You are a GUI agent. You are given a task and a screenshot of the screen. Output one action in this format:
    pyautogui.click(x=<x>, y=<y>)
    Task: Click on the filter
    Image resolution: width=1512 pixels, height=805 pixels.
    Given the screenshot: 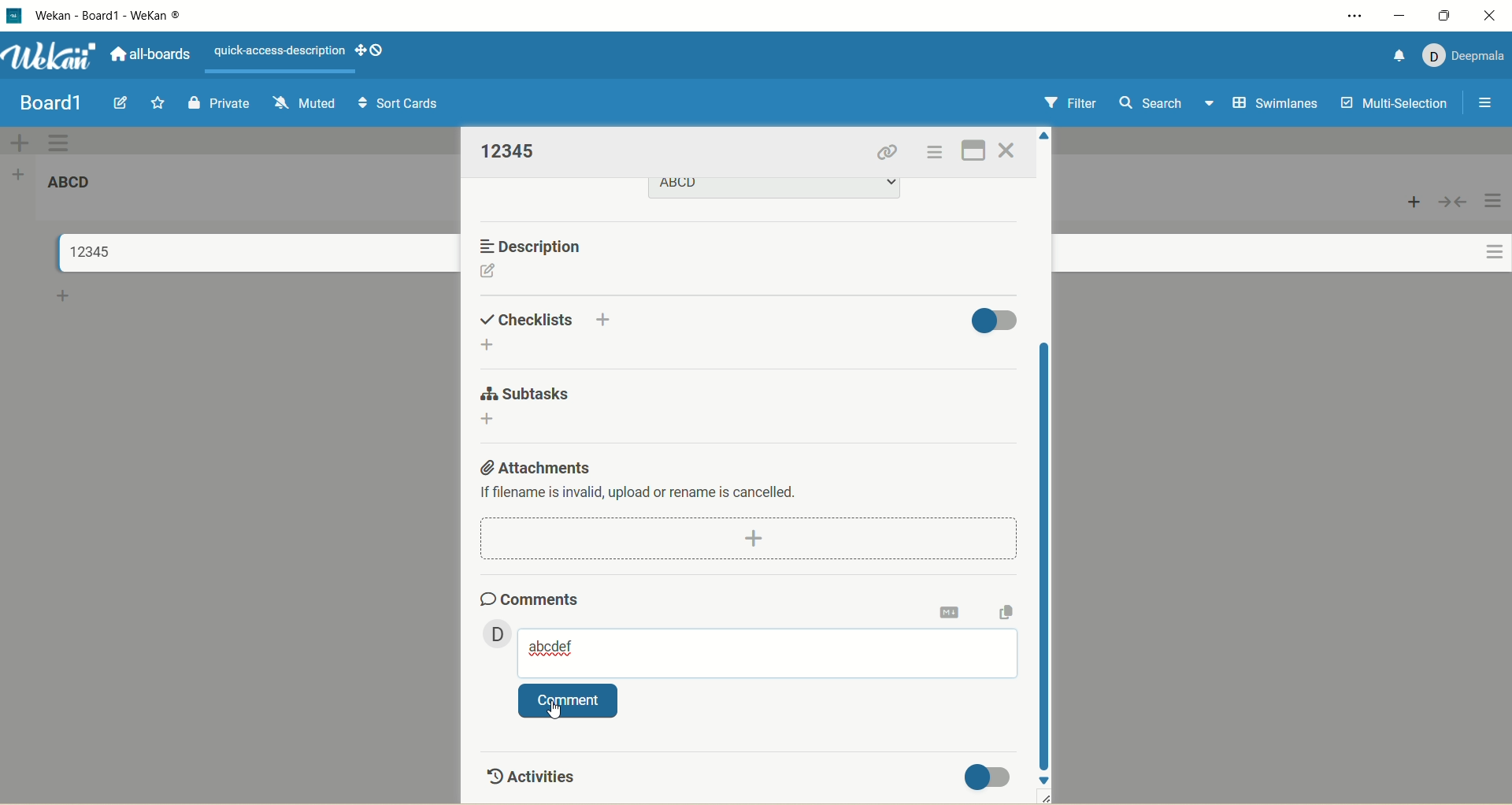 What is the action you would take?
    pyautogui.click(x=1067, y=105)
    